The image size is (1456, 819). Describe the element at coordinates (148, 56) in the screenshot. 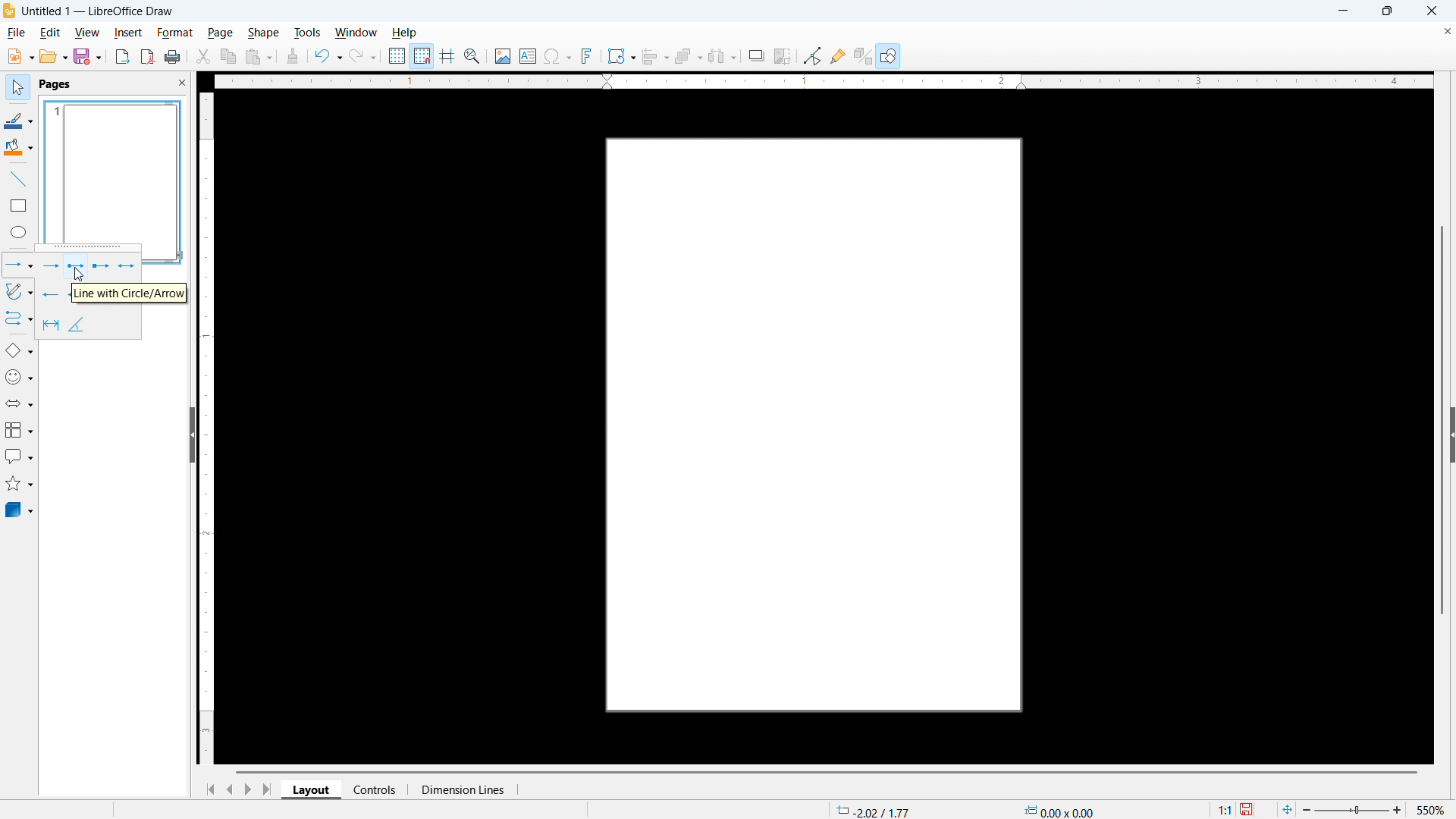

I see `Export as P D F ` at that location.